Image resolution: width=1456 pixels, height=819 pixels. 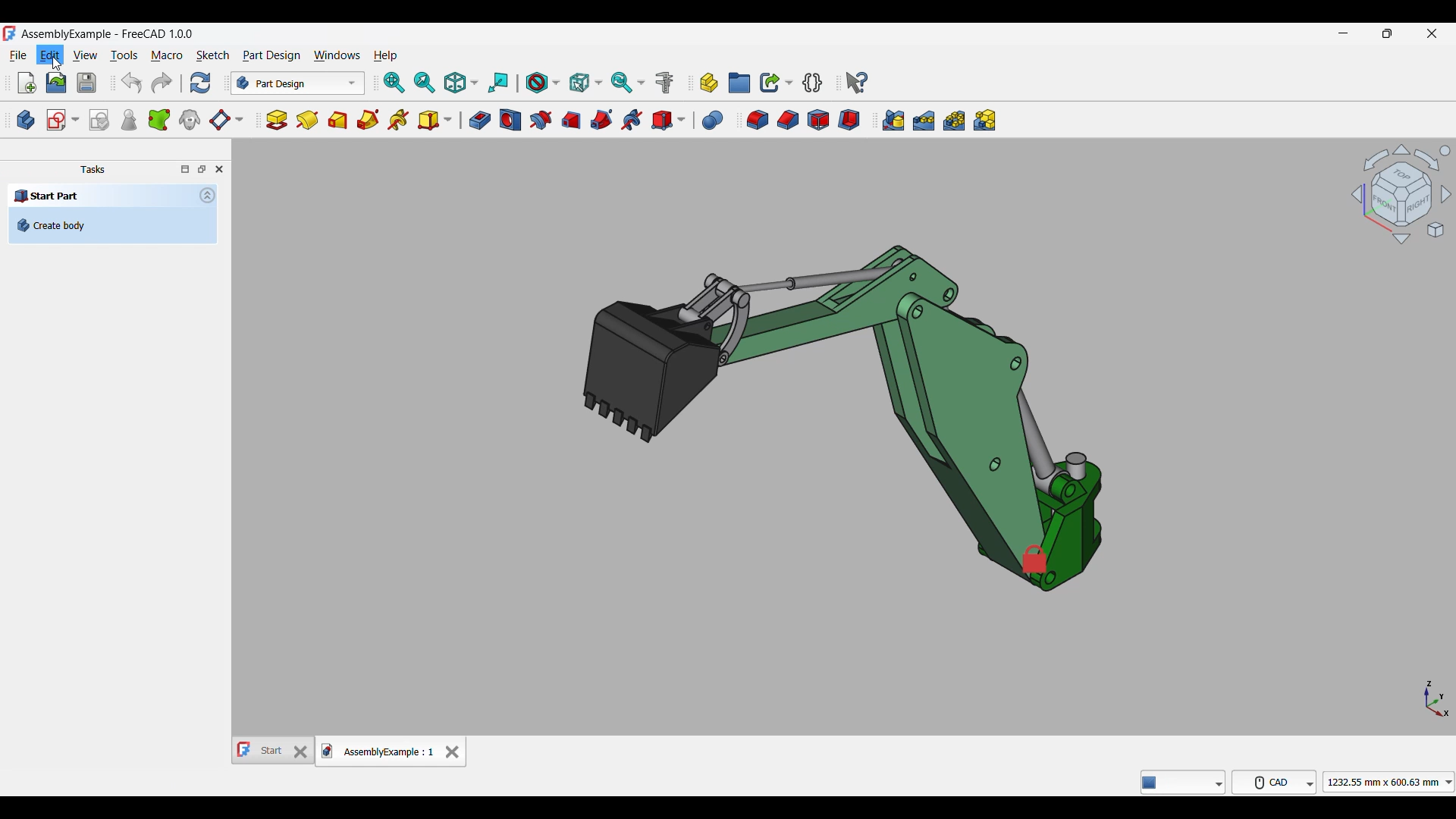 What do you see at coordinates (1343, 33) in the screenshot?
I see `Minimize` at bounding box center [1343, 33].